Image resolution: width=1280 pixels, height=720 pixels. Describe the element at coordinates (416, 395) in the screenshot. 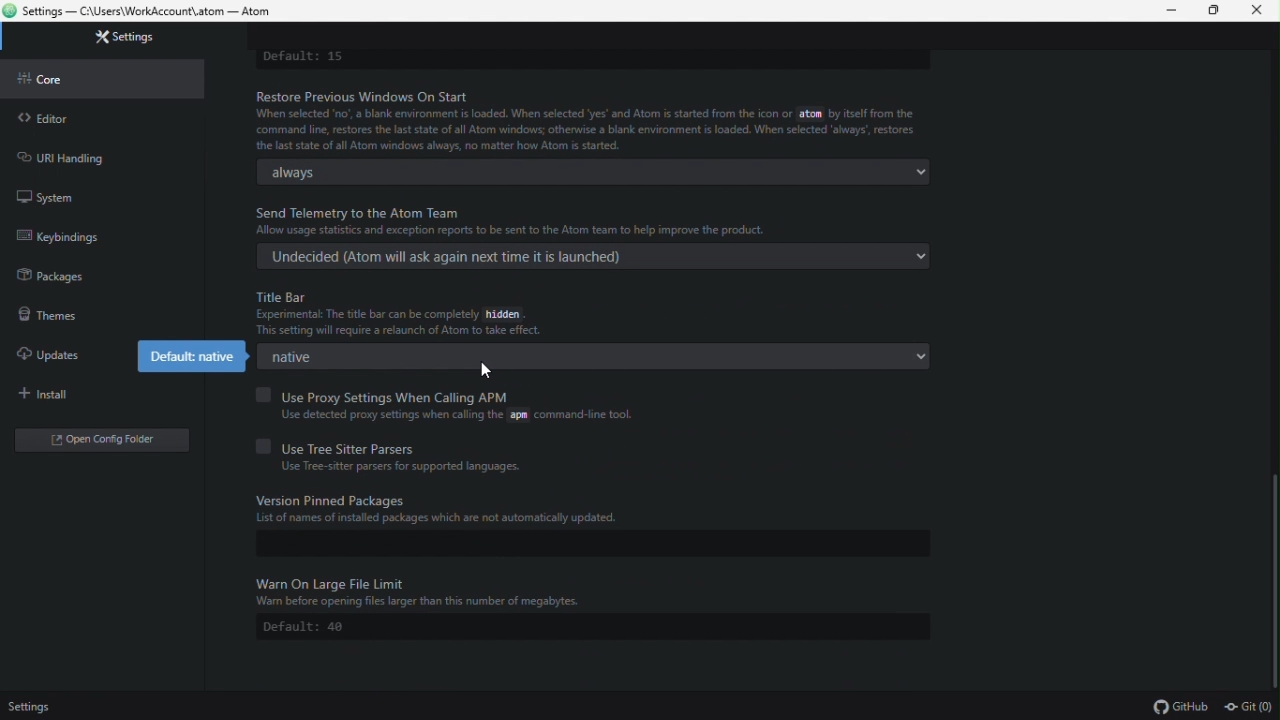

I see `Use Proxy Settings When Calling APM` at that location.